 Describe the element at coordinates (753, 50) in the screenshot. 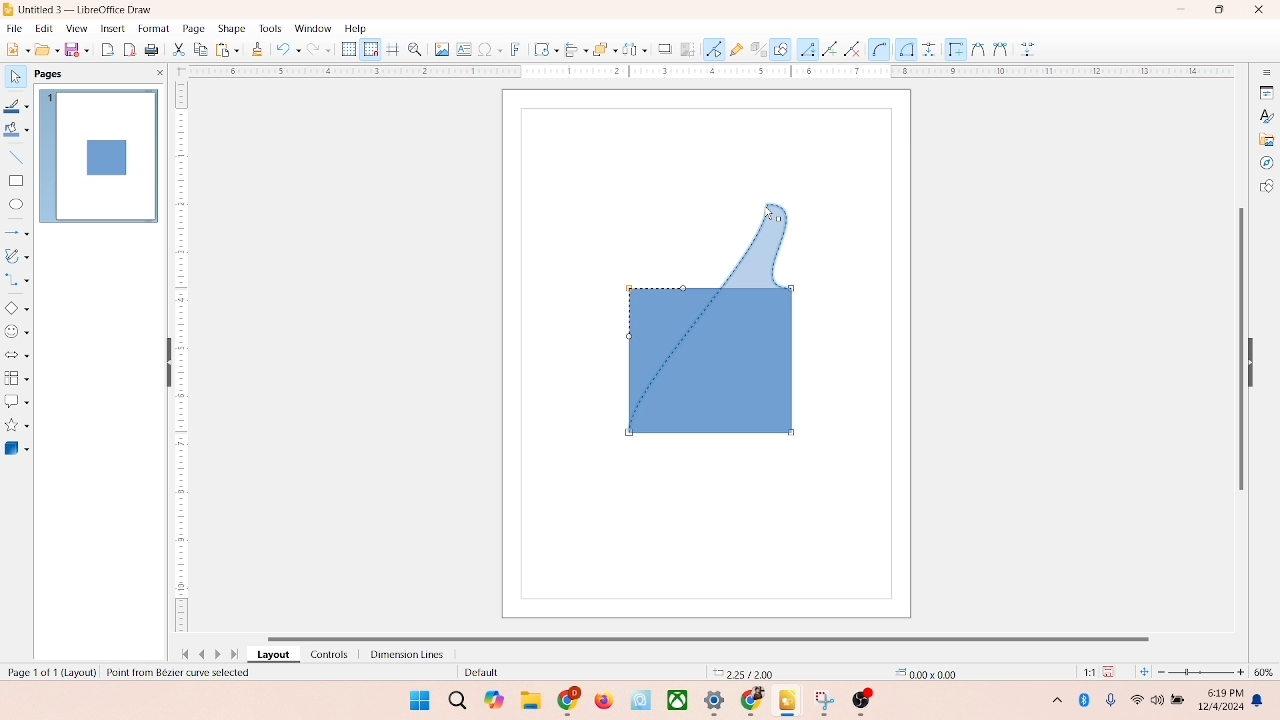

I see `toggle extrusion` at that location.